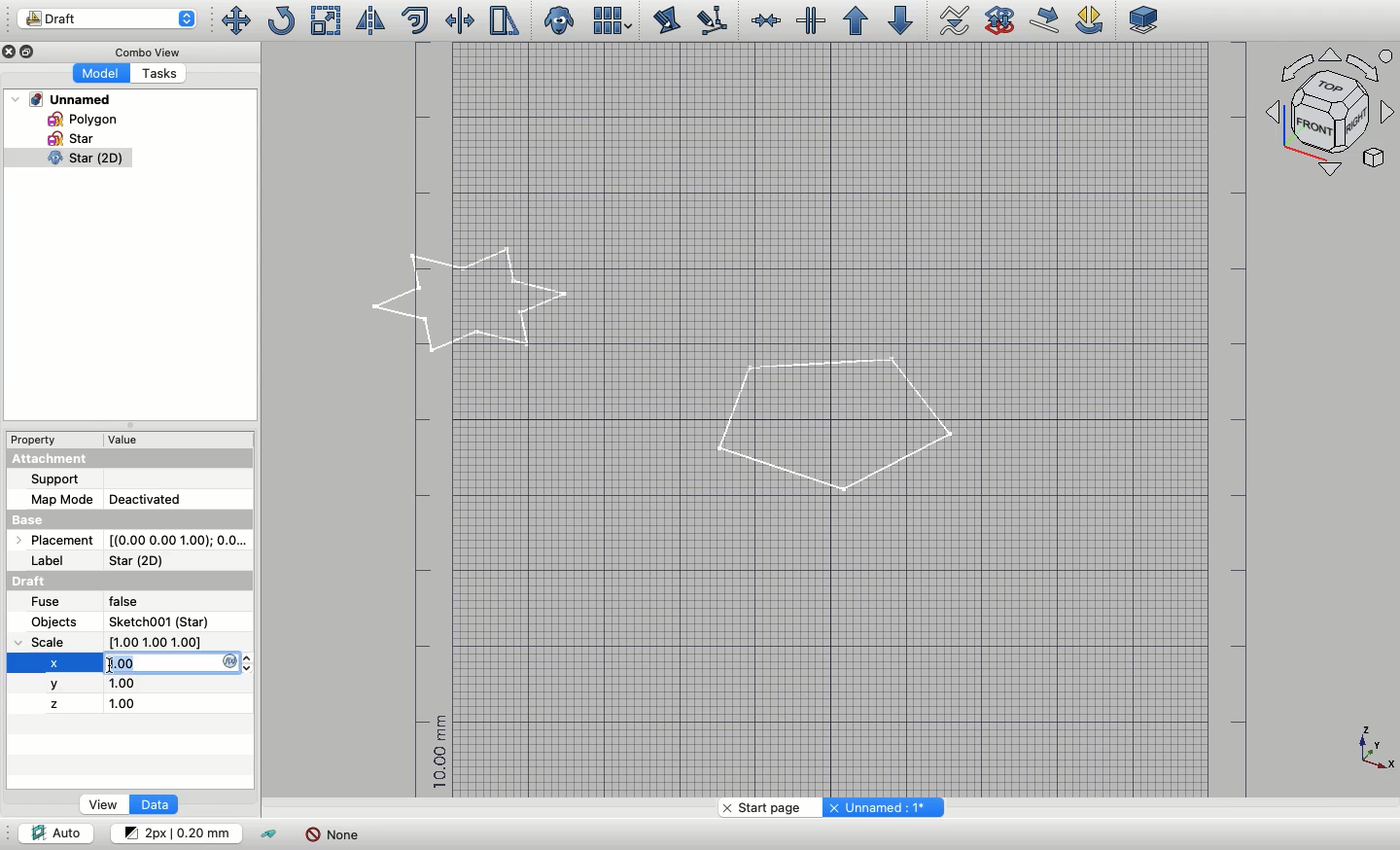 The width and height of the screenshot is (1400, 850). What do you see at coordinates (177, 642) in the screenshot?
I see `[1.00 1.00 1.00]` at bounding box center [177, 642].